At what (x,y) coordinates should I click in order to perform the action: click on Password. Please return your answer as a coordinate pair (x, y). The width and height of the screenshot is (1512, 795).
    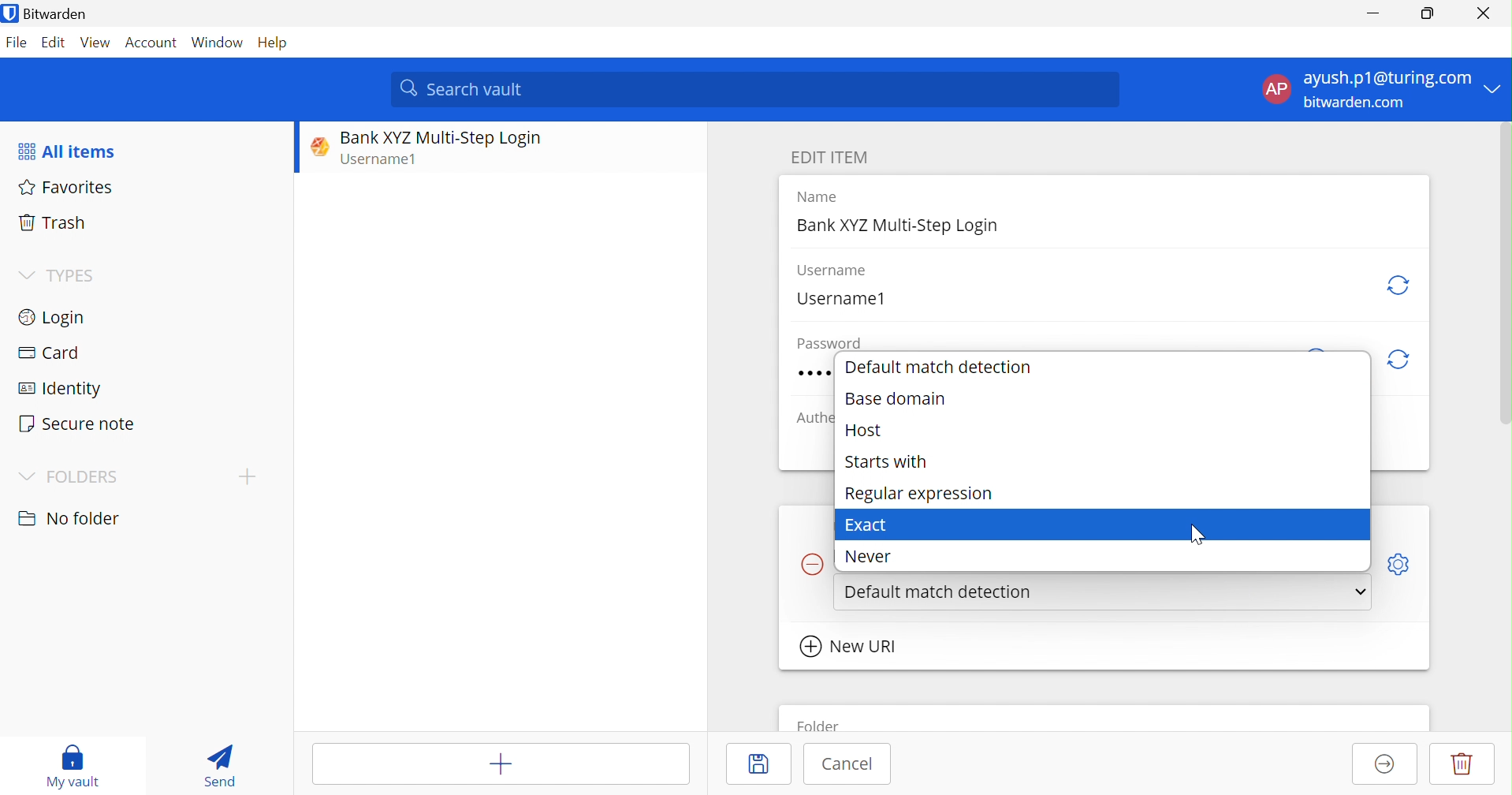
    Looking at the image, I should click on (832, 344).